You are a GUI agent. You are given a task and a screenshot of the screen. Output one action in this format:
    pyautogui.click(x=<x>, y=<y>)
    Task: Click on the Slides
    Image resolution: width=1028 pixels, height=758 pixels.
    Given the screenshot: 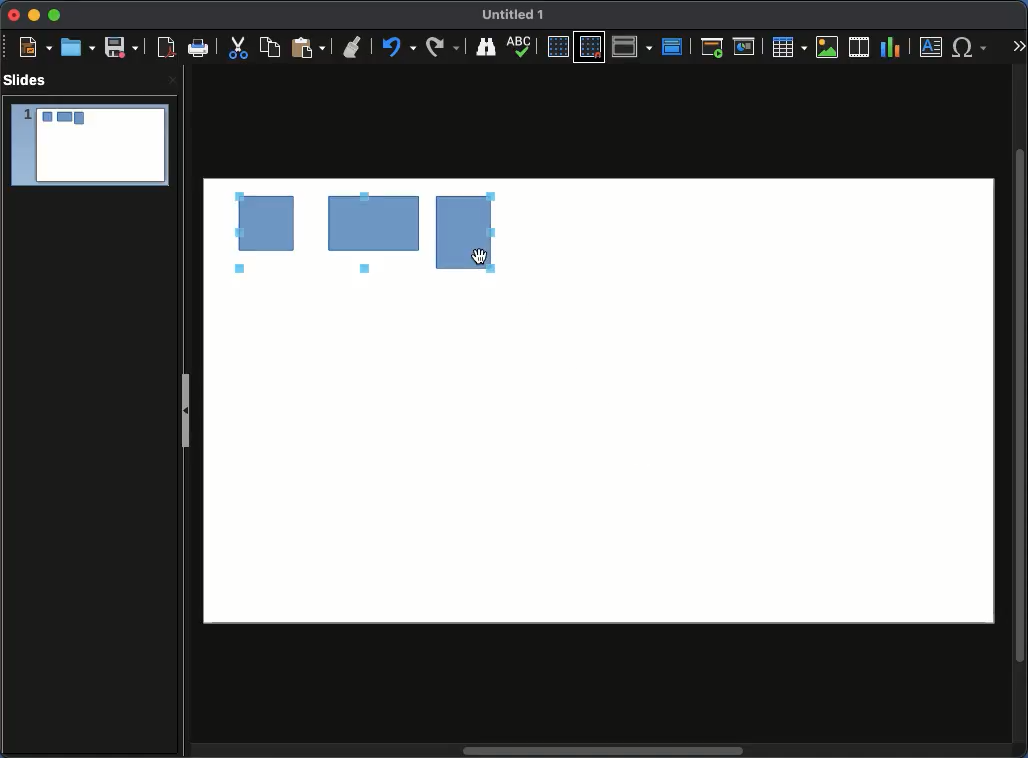 What is the action you would take?
    pyautogui.click(x=27, y=79)
    